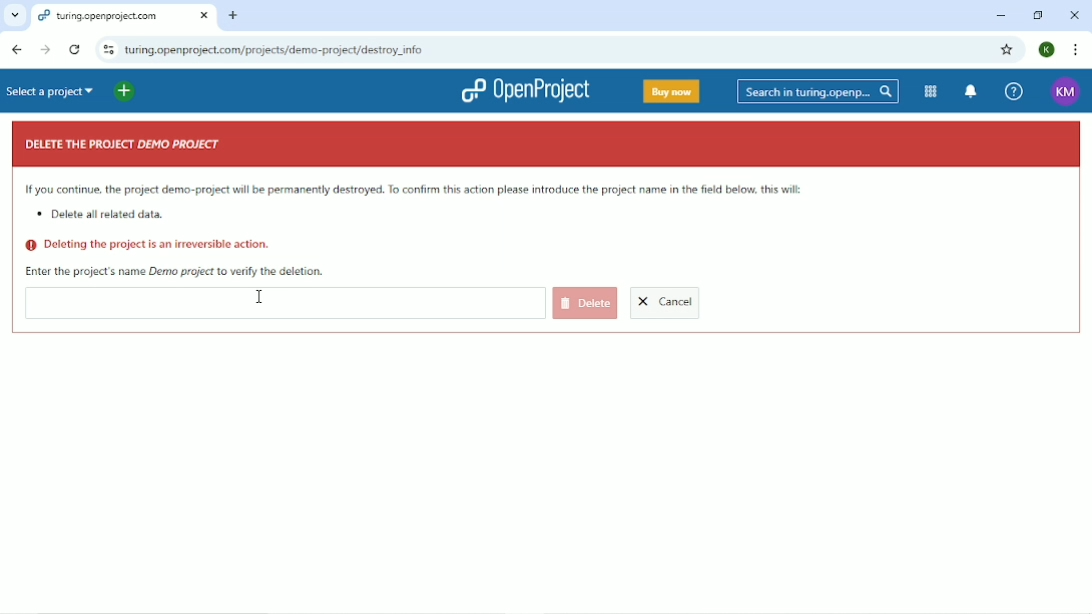  What do you see at coordinates (971, 91) in the screenshot?
I see `To notification center` at bounding box center [971, 91].